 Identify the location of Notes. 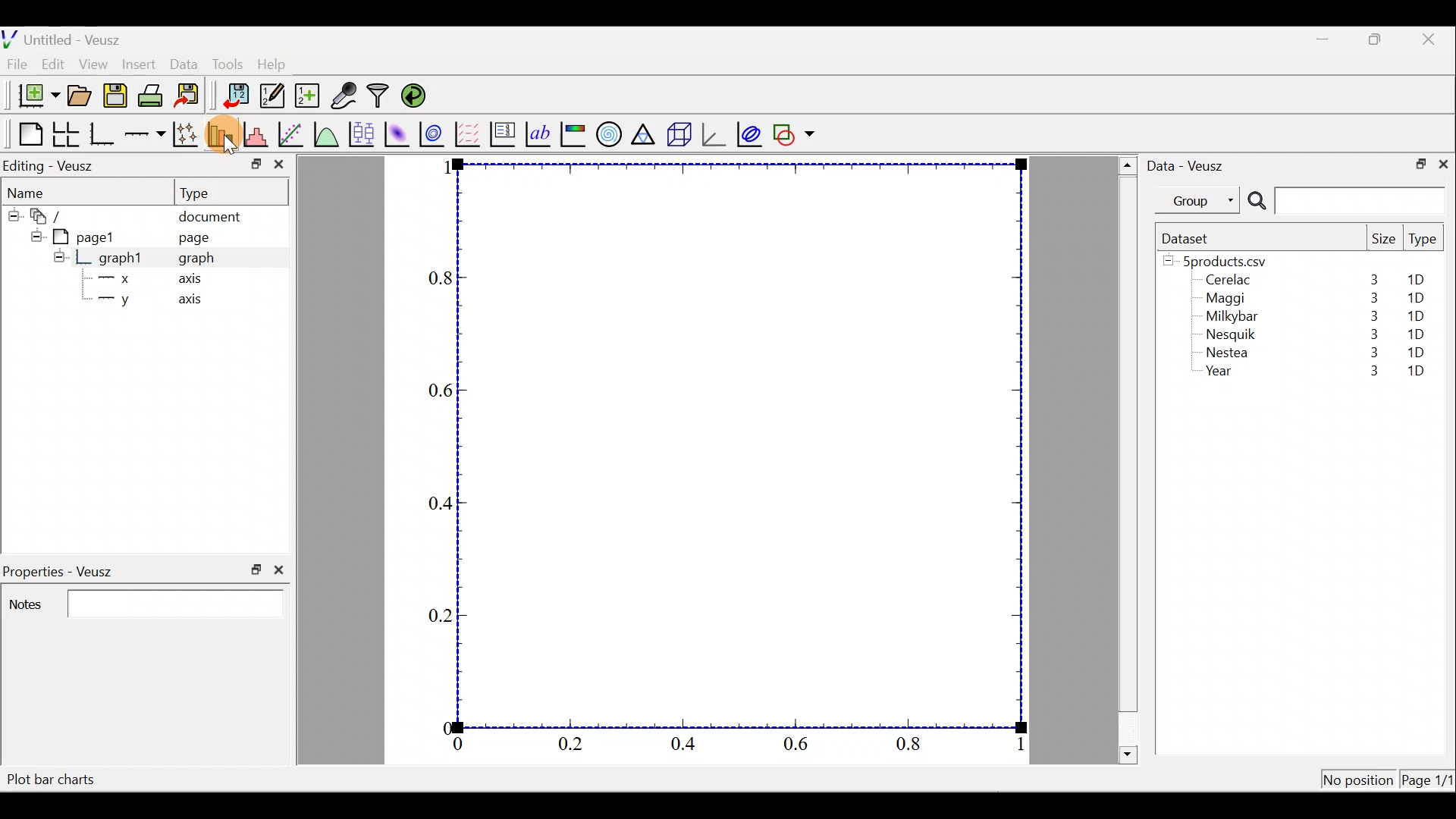
(144, 603).